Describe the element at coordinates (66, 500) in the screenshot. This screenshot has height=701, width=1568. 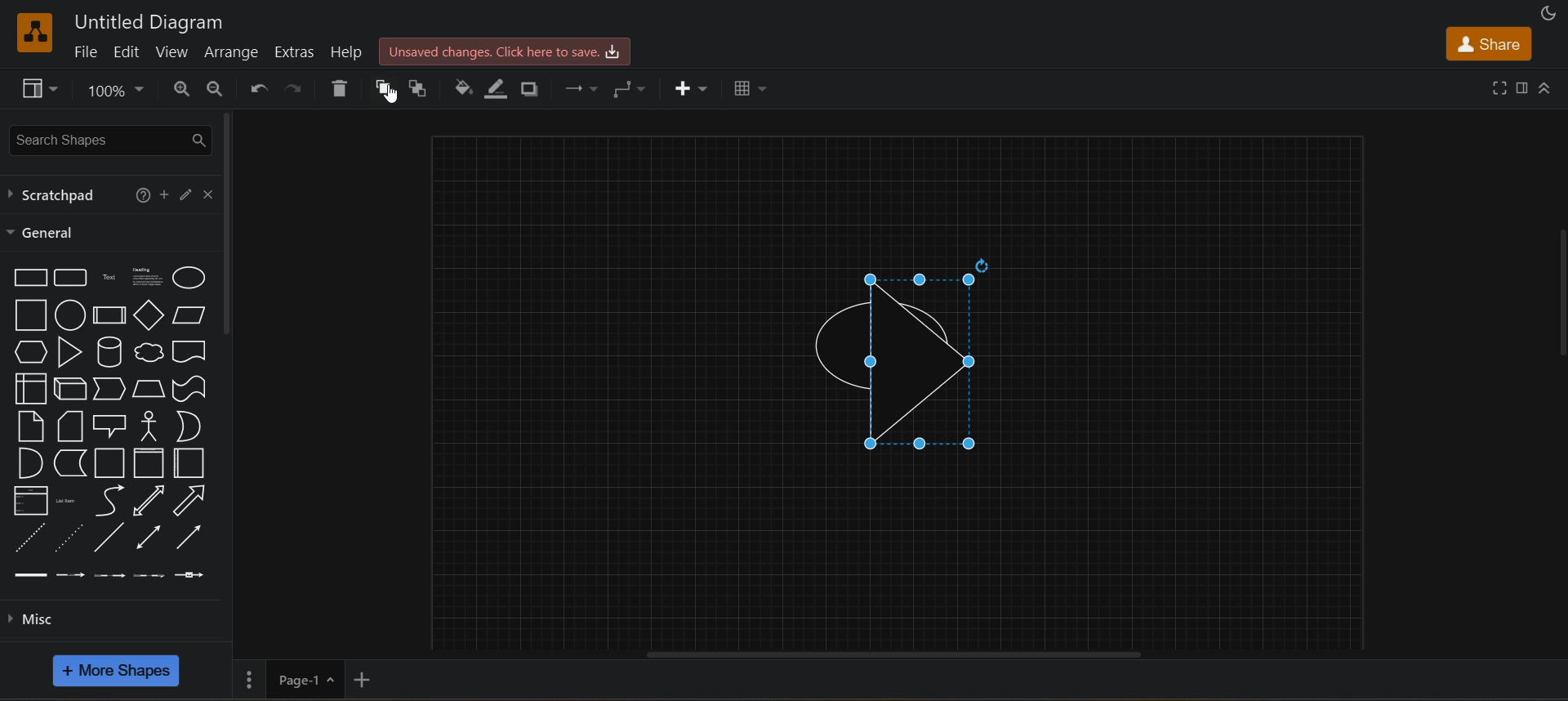
I see `list item` at that location.